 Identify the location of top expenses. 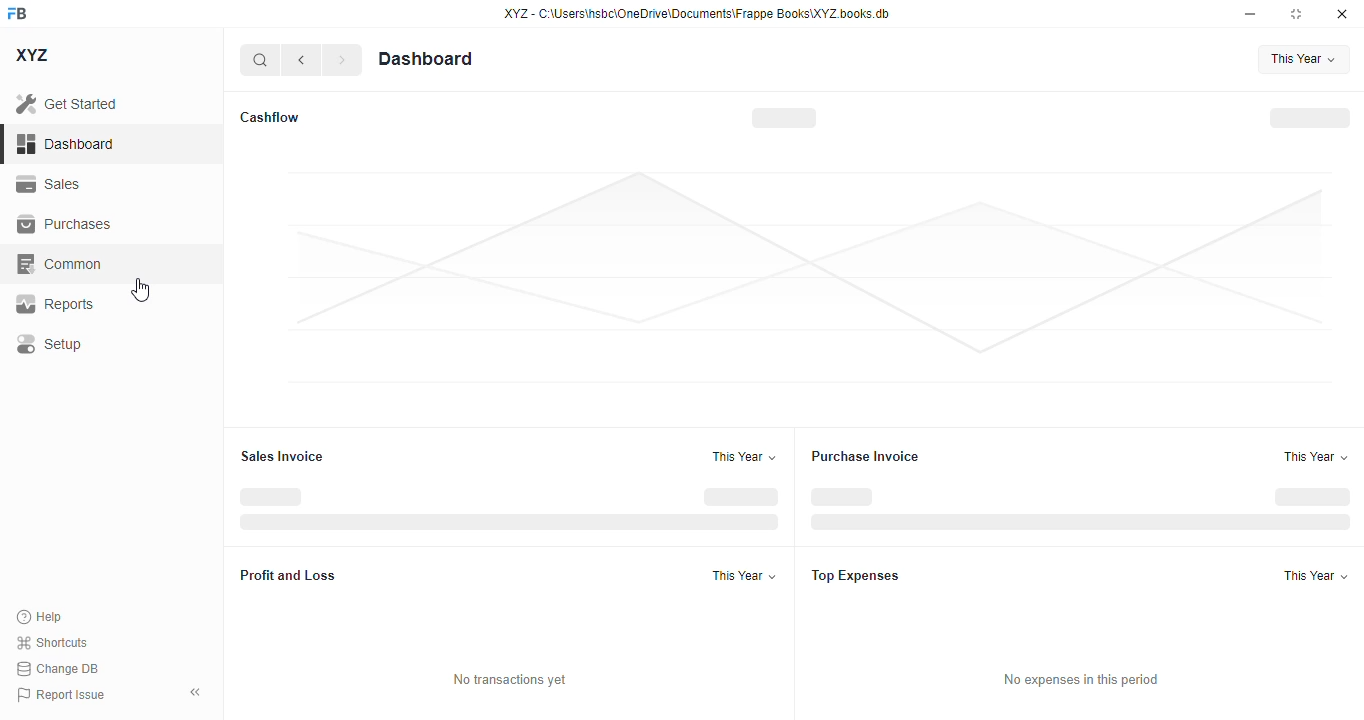
(856, 576).